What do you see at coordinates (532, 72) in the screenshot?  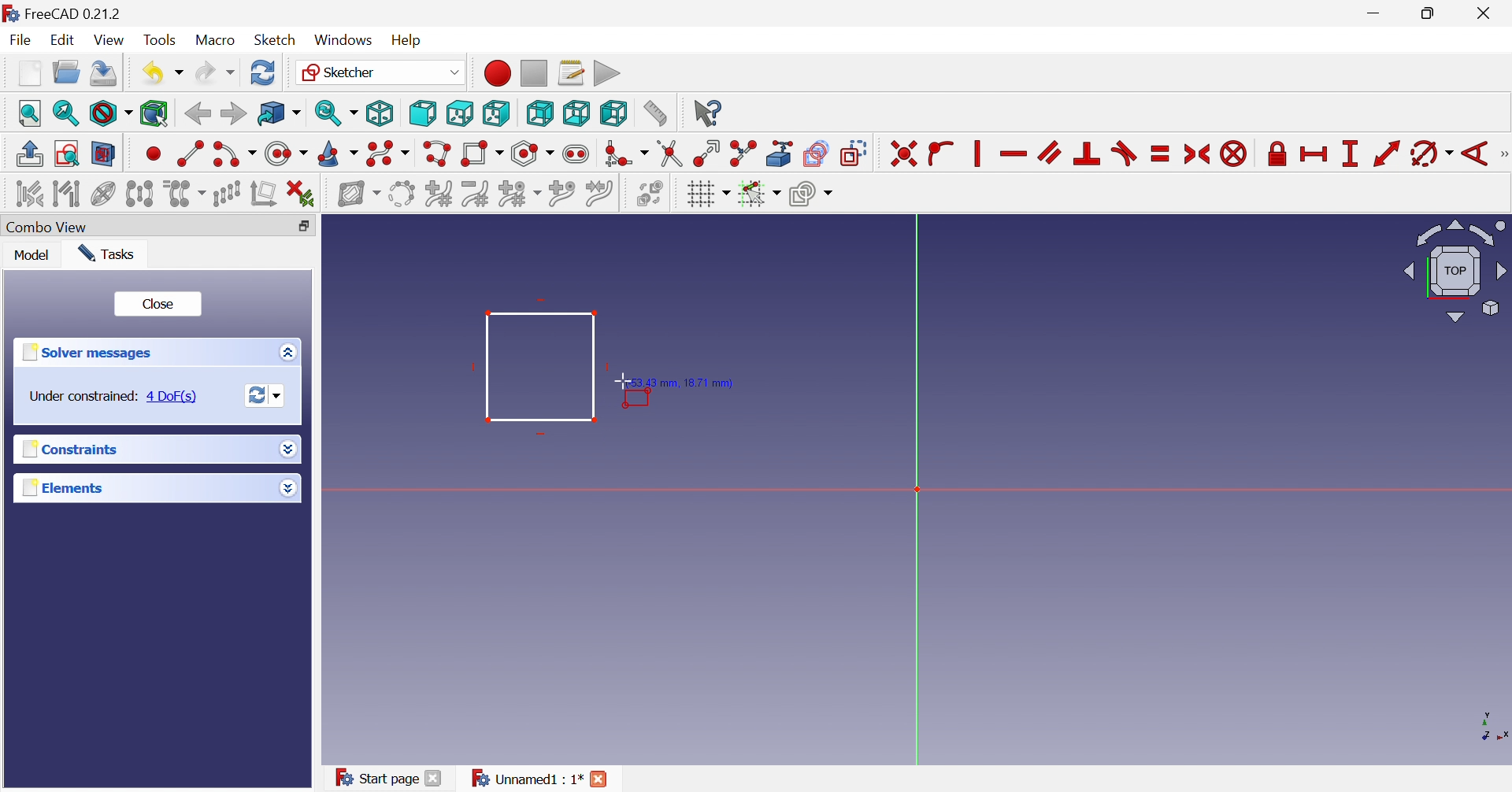 I see `Stop macro recording` at bounding box center [532, 72].